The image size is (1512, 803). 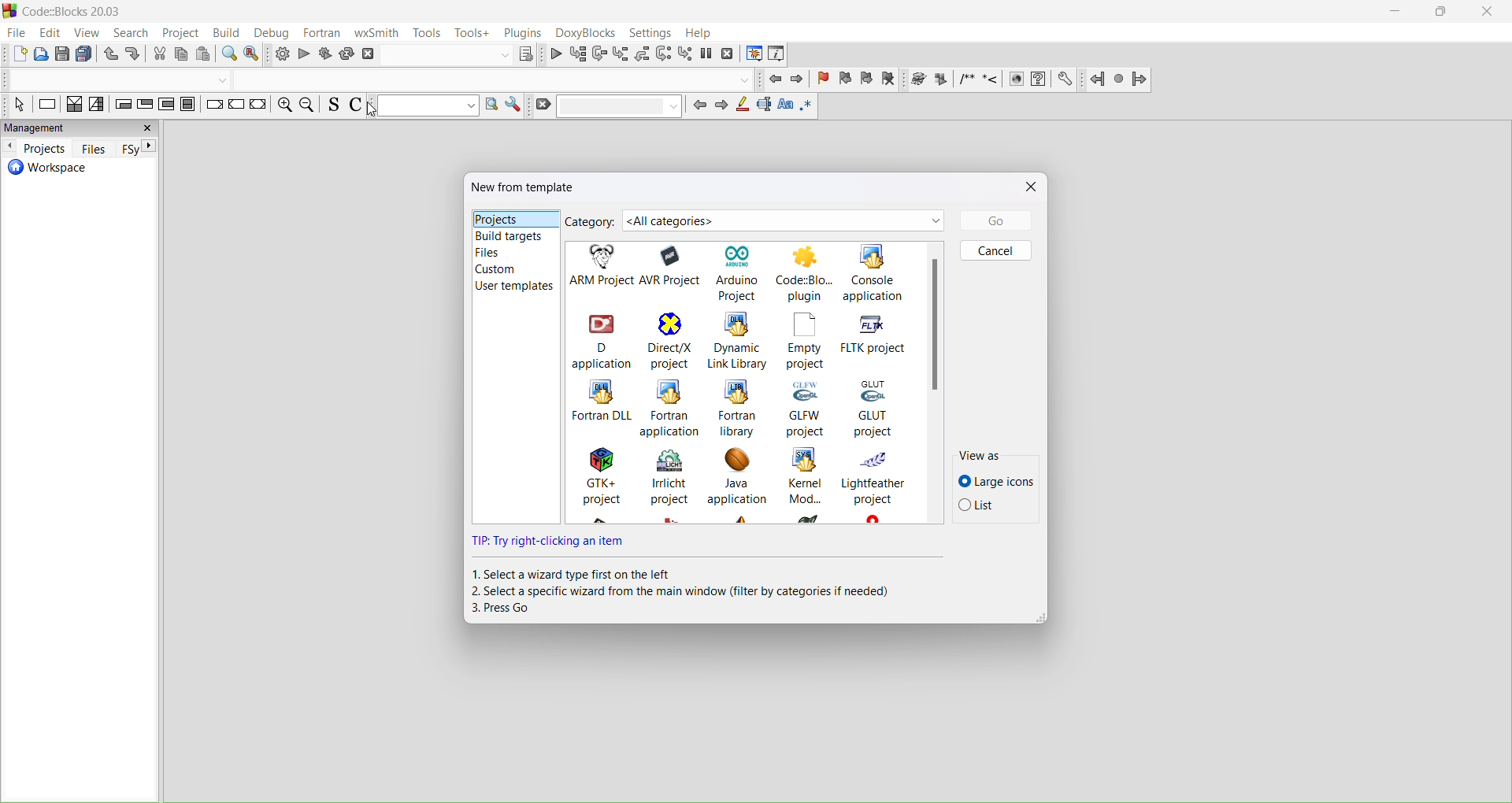 What do you see at coordinates (754, 53) in the screenshot?
I see `debugging windows` at bounding box center [754, 53].